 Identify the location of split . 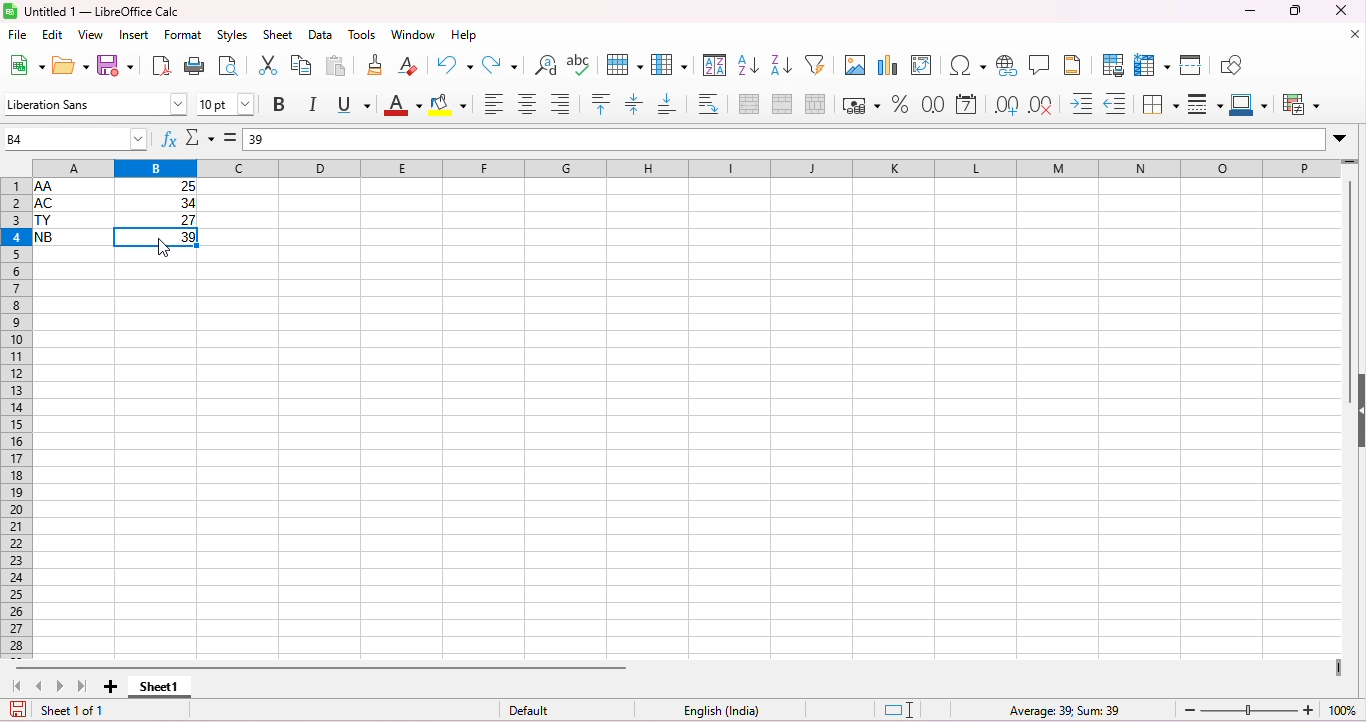
(1193, 64).